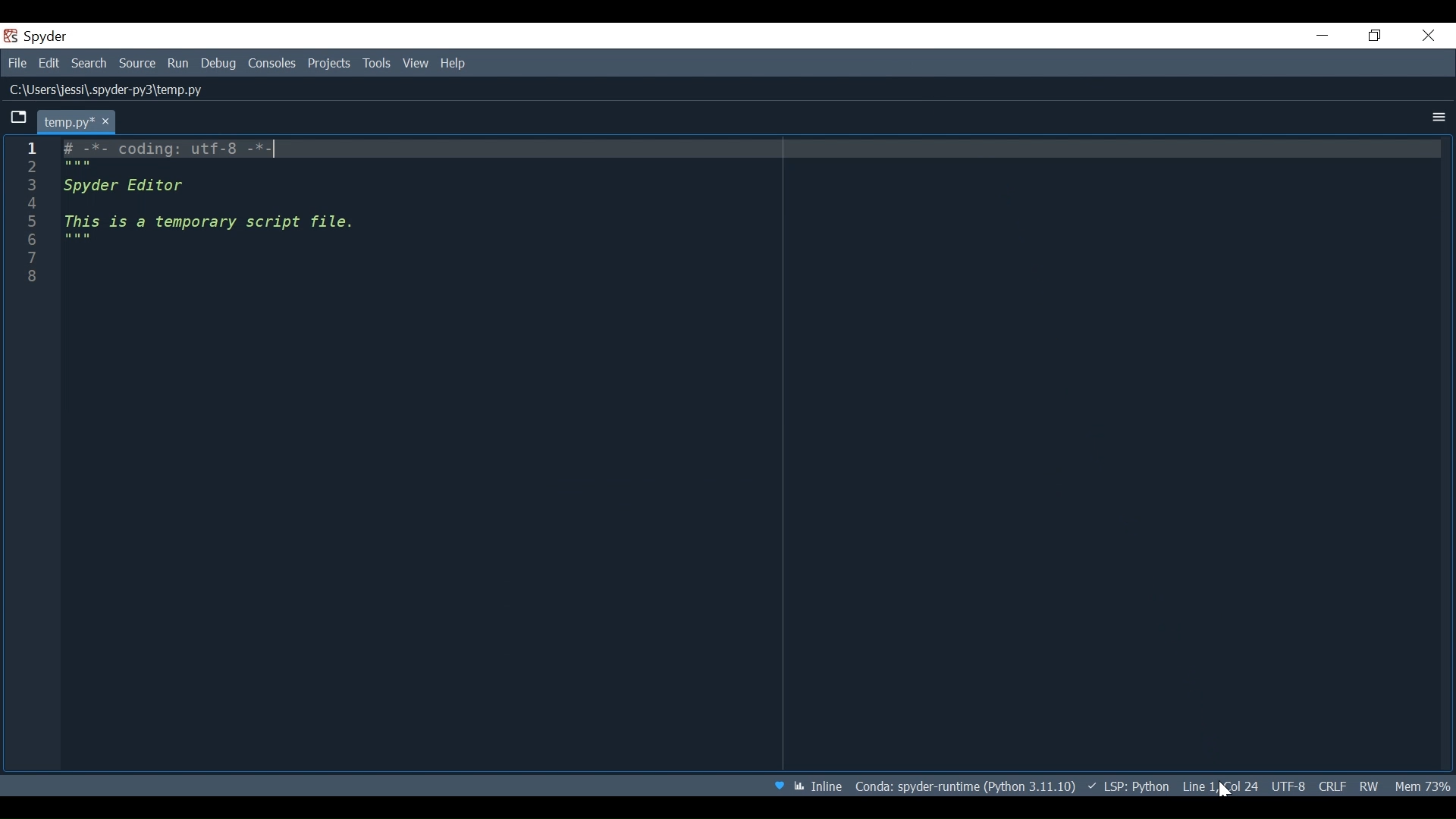 Image resolution: width=1456 pixels, height=819 pixels. What do you see at coordinates (36, 35) in the screenshot?
I see `Spyder Desktop Icon` at bounding box center [36, 35].